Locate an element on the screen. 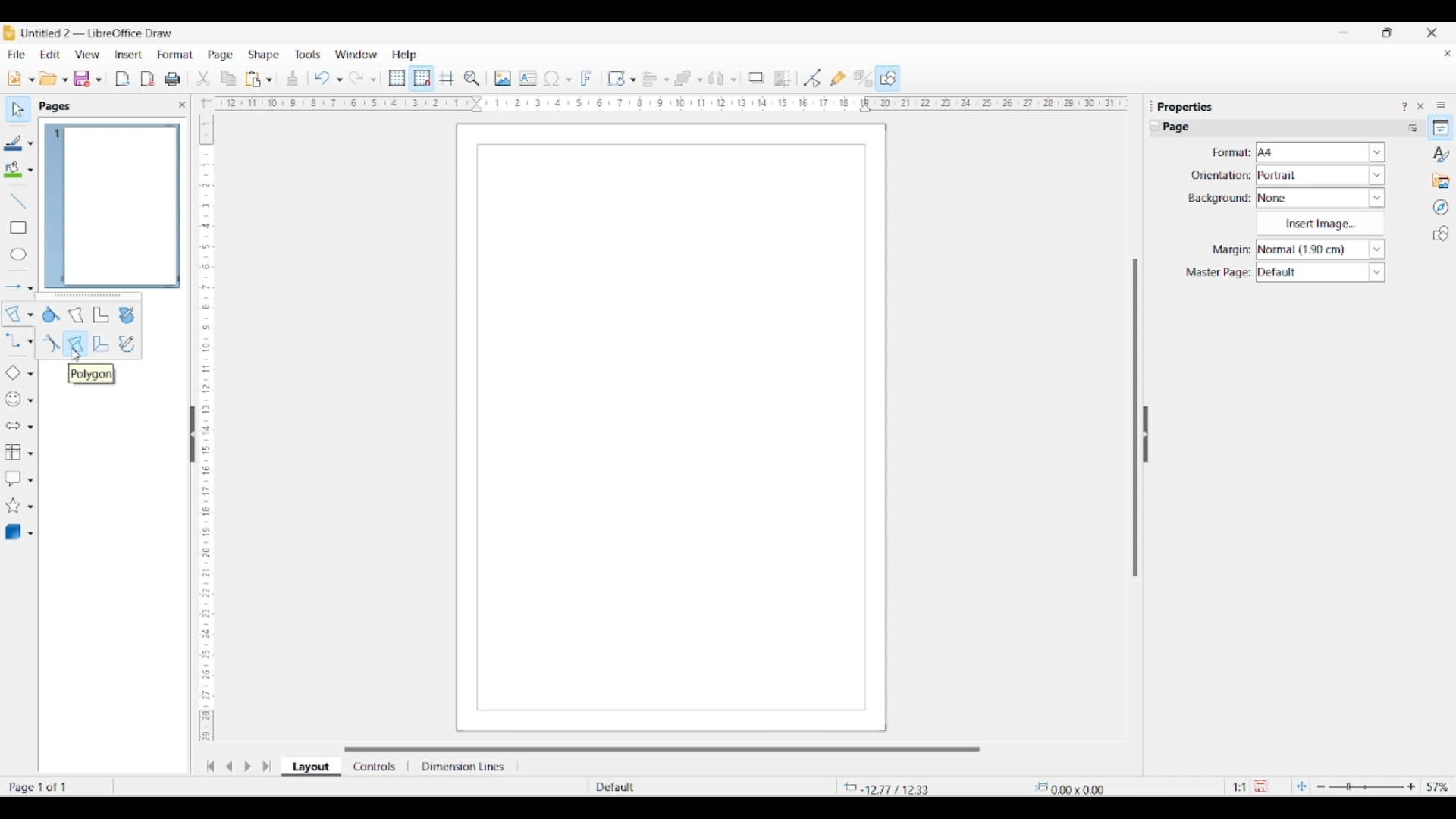 The height and width of the screenshot is (819, 1456). Insert image is located at coordinates (503, 78).